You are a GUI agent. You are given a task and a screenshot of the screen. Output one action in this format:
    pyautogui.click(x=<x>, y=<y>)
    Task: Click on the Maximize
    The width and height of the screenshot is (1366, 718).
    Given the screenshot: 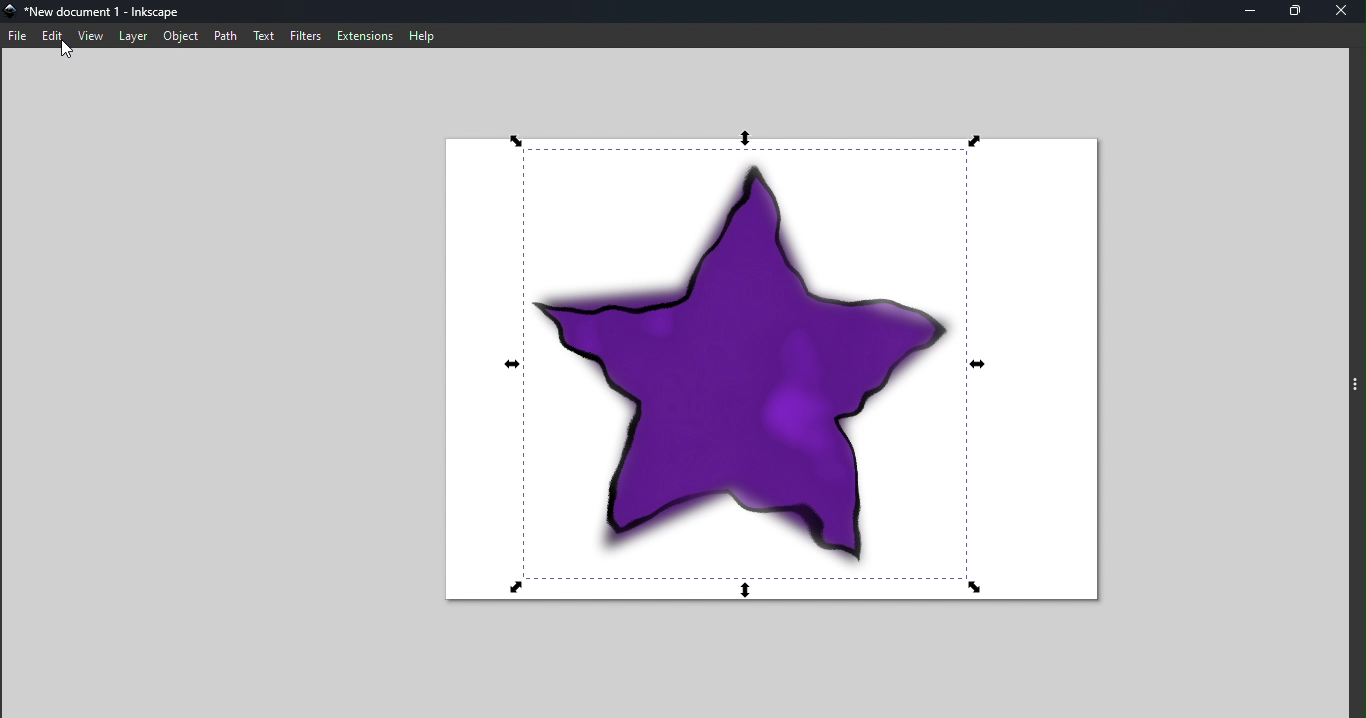 What is the action you would take?
    pyautogui.click(x=1294, y=12)
    